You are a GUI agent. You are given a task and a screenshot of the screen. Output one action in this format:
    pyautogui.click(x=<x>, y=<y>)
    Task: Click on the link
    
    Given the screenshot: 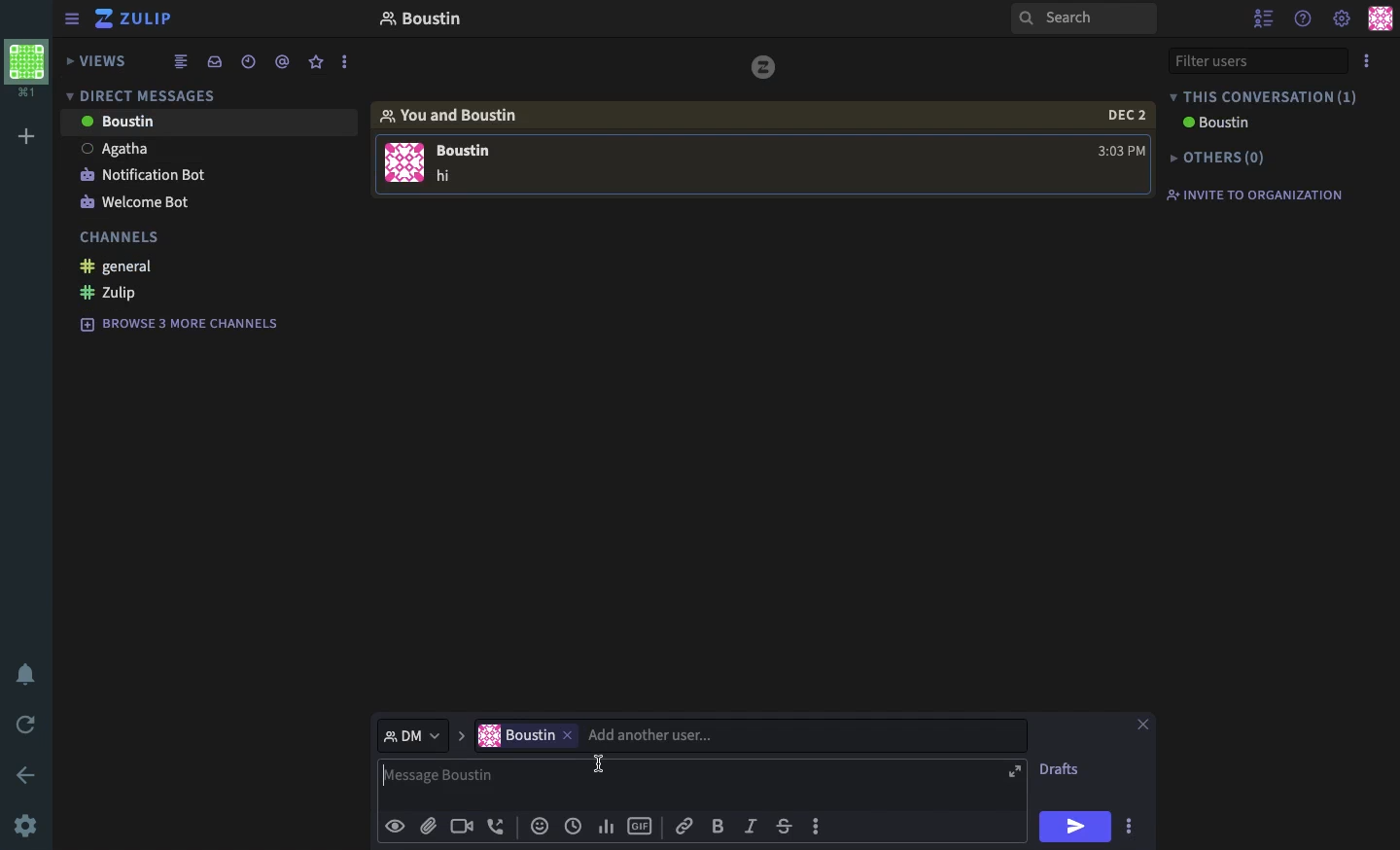 What is the action you would take?
    pyautogui.click(x=686, y=825)
    